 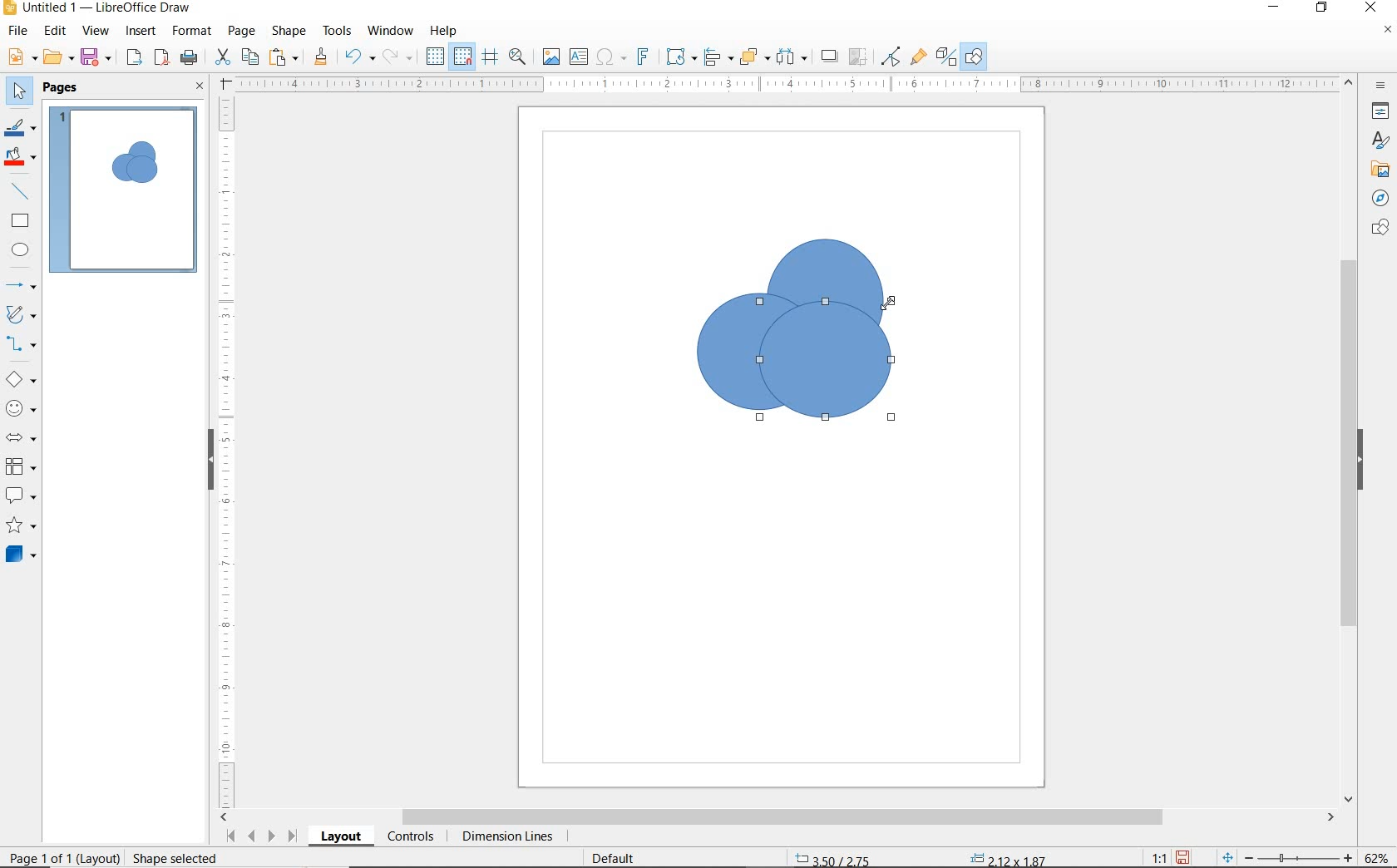 I want to click on INSERT TEXT BOX, so click(x=580, y=57).